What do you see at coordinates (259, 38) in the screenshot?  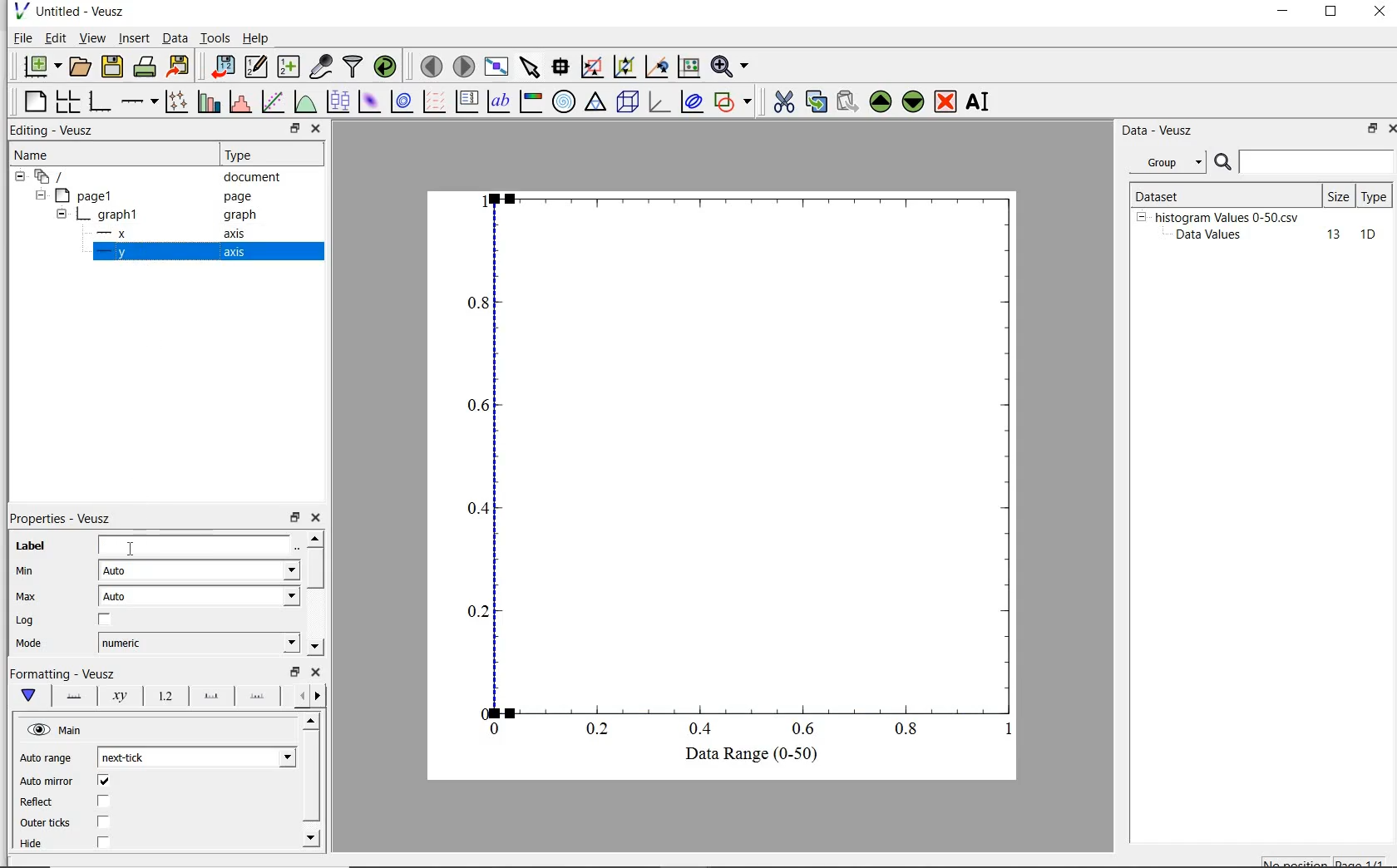 I see `help` at bounding box center [259, 38].